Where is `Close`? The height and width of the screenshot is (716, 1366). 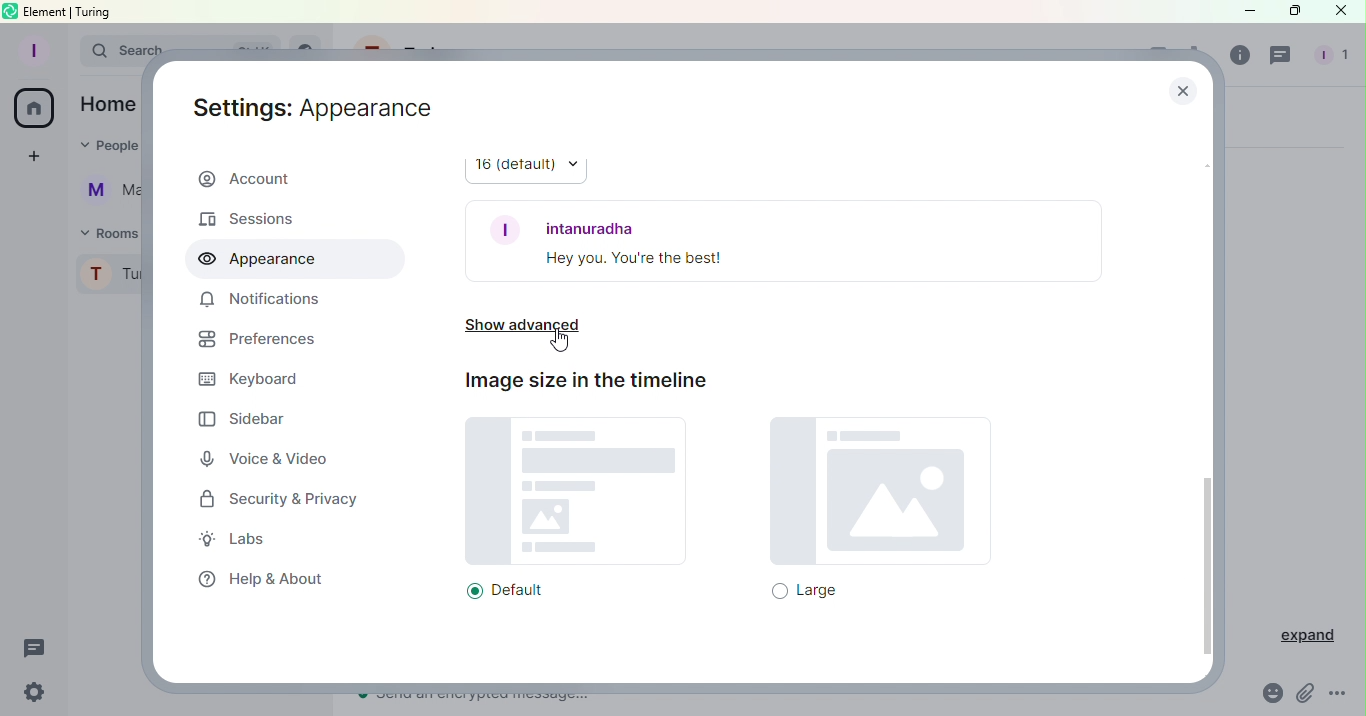 Close is located at coordinates (1342, 12).